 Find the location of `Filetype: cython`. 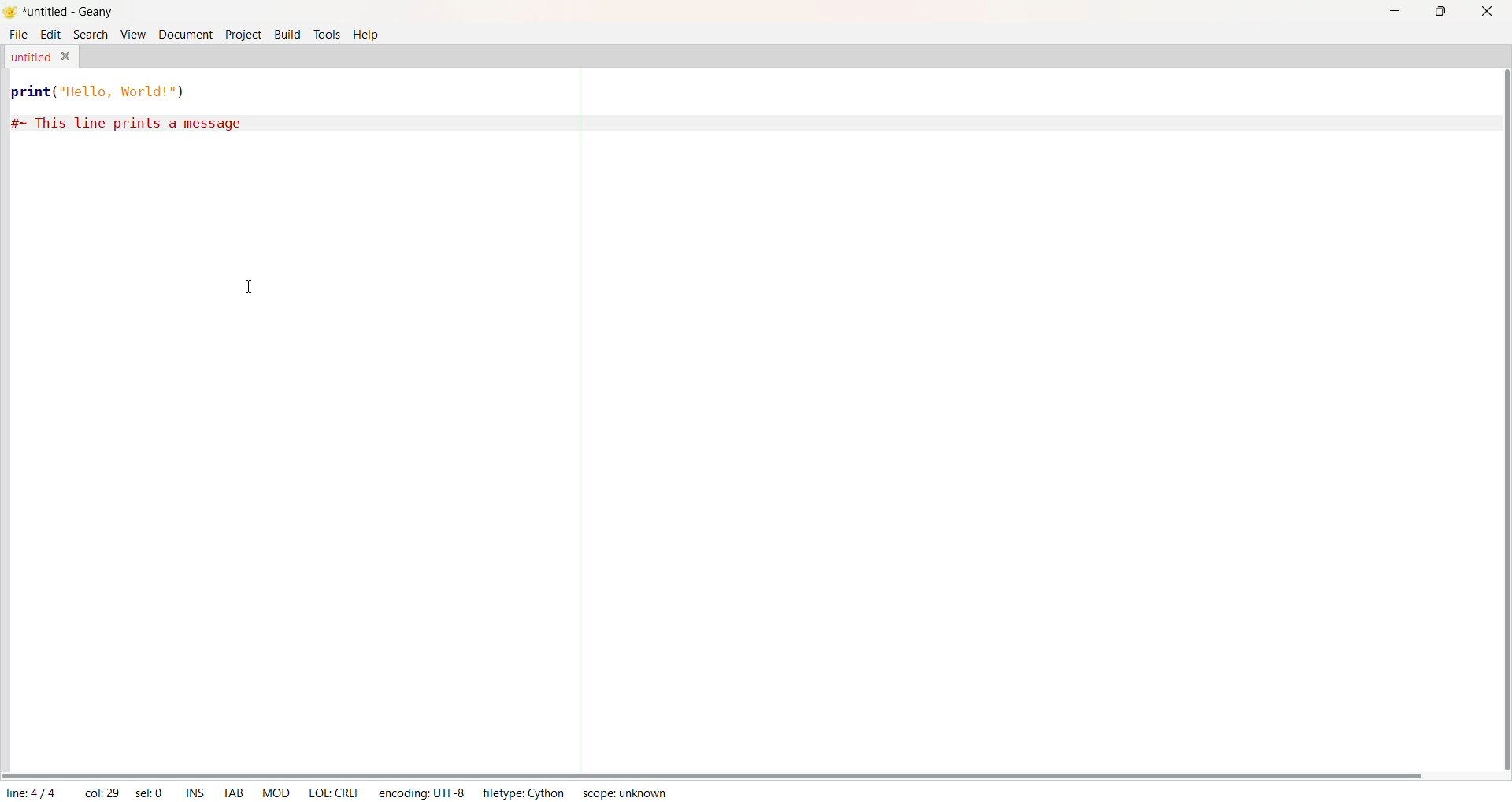

Filetype: cython is located at coordinates (526, 793).